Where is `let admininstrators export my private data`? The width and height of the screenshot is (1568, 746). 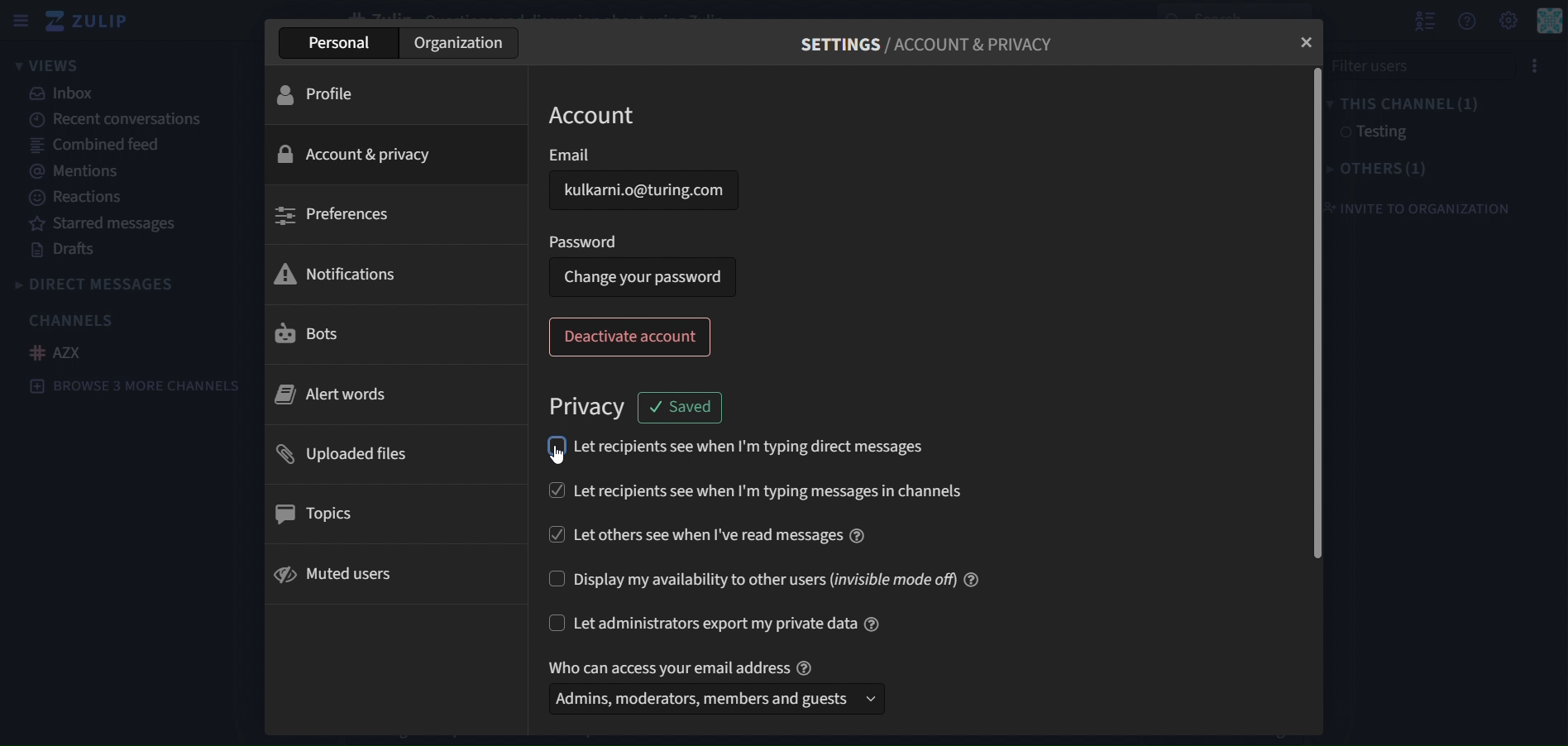 let admininstrators export my private data is located at coordinates (703, 623).